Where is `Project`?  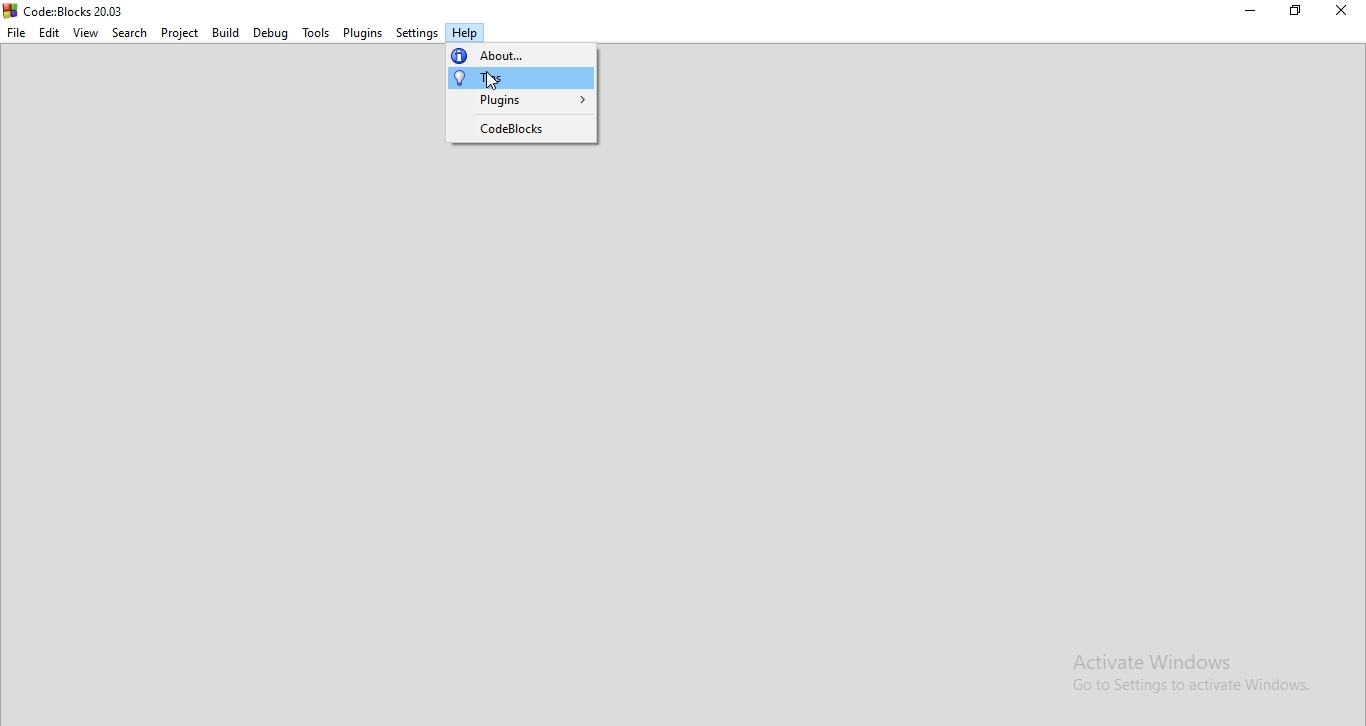 Project is located at coordinates (178, 32).